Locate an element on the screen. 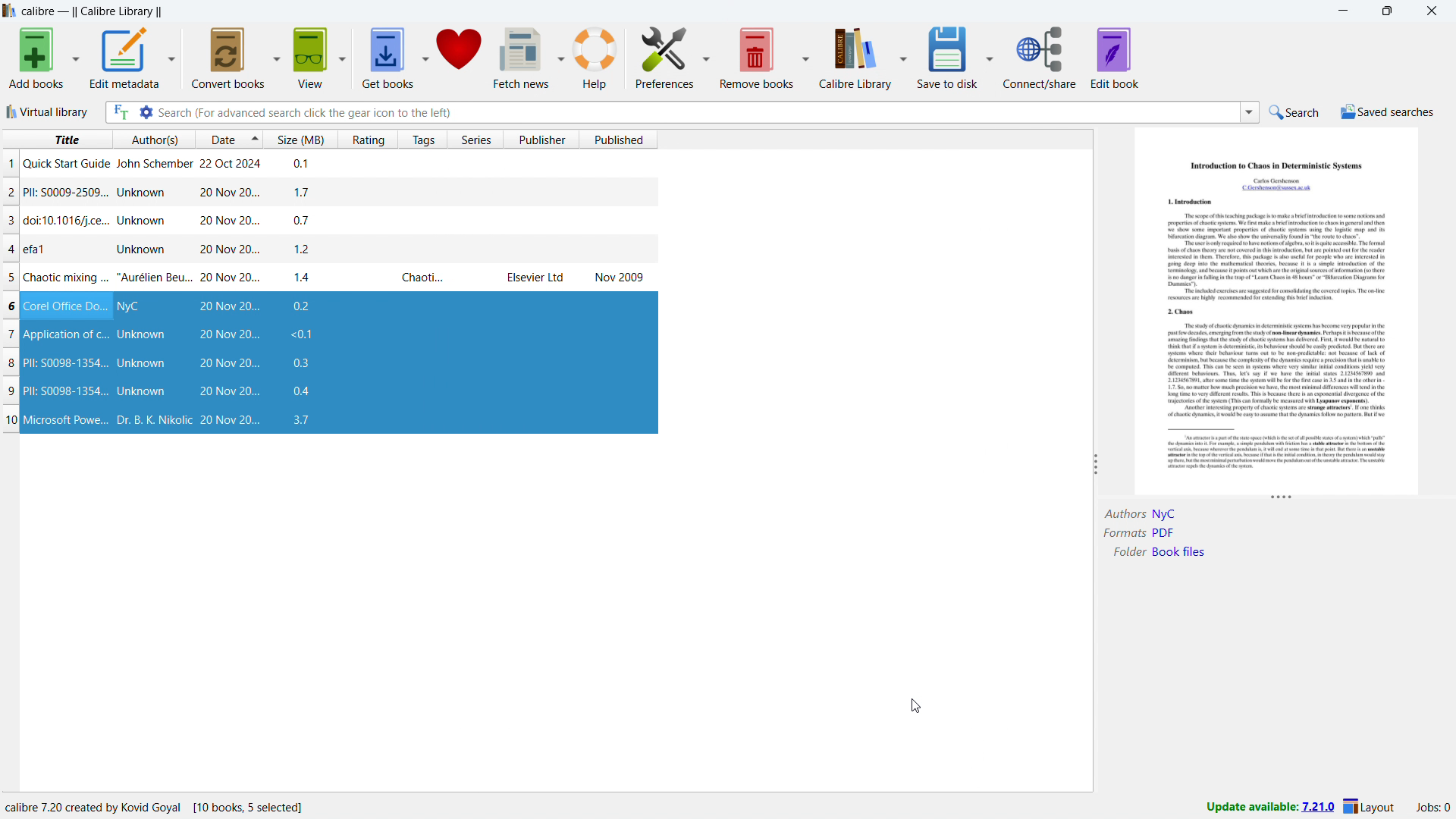  calibre library is located at coordinates (855, 57).